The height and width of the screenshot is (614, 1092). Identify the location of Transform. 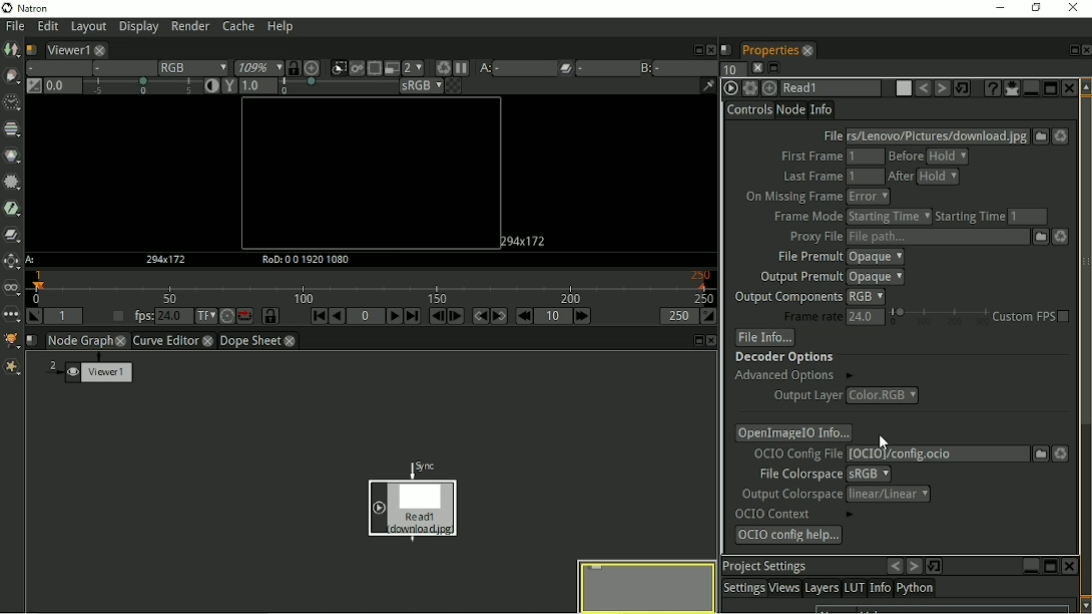
(12, 262).